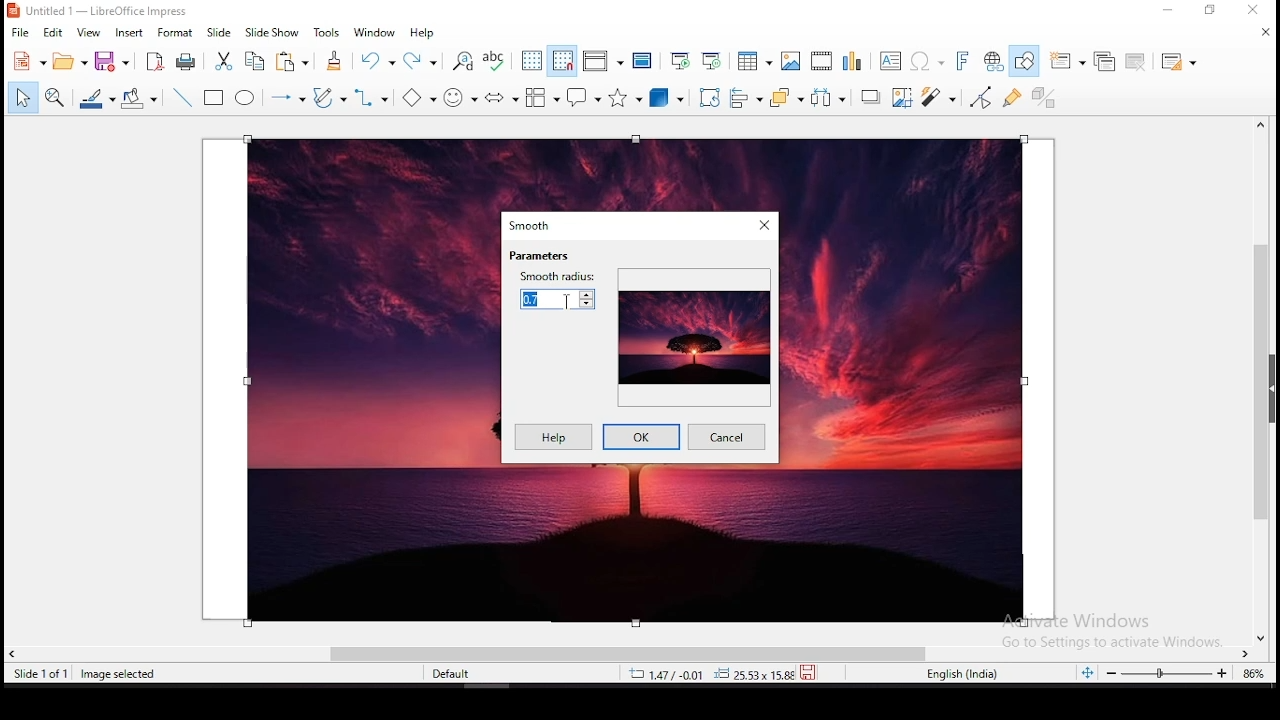  Describe the element at coordinates (273, 32) in the screenshot. I see `slide show` at that location.